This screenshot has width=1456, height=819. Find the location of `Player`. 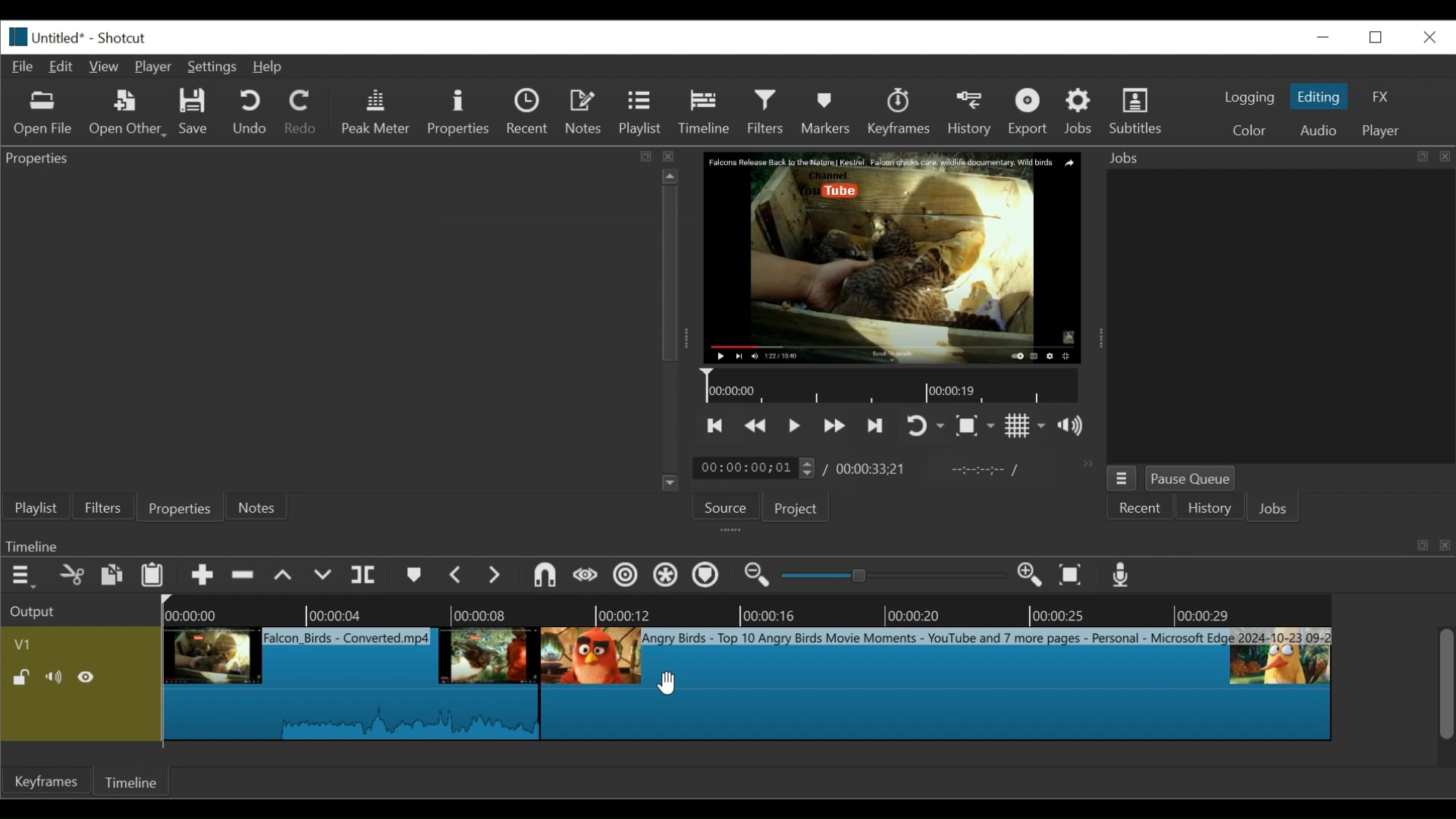

Player is located at coordinates (155, 67).